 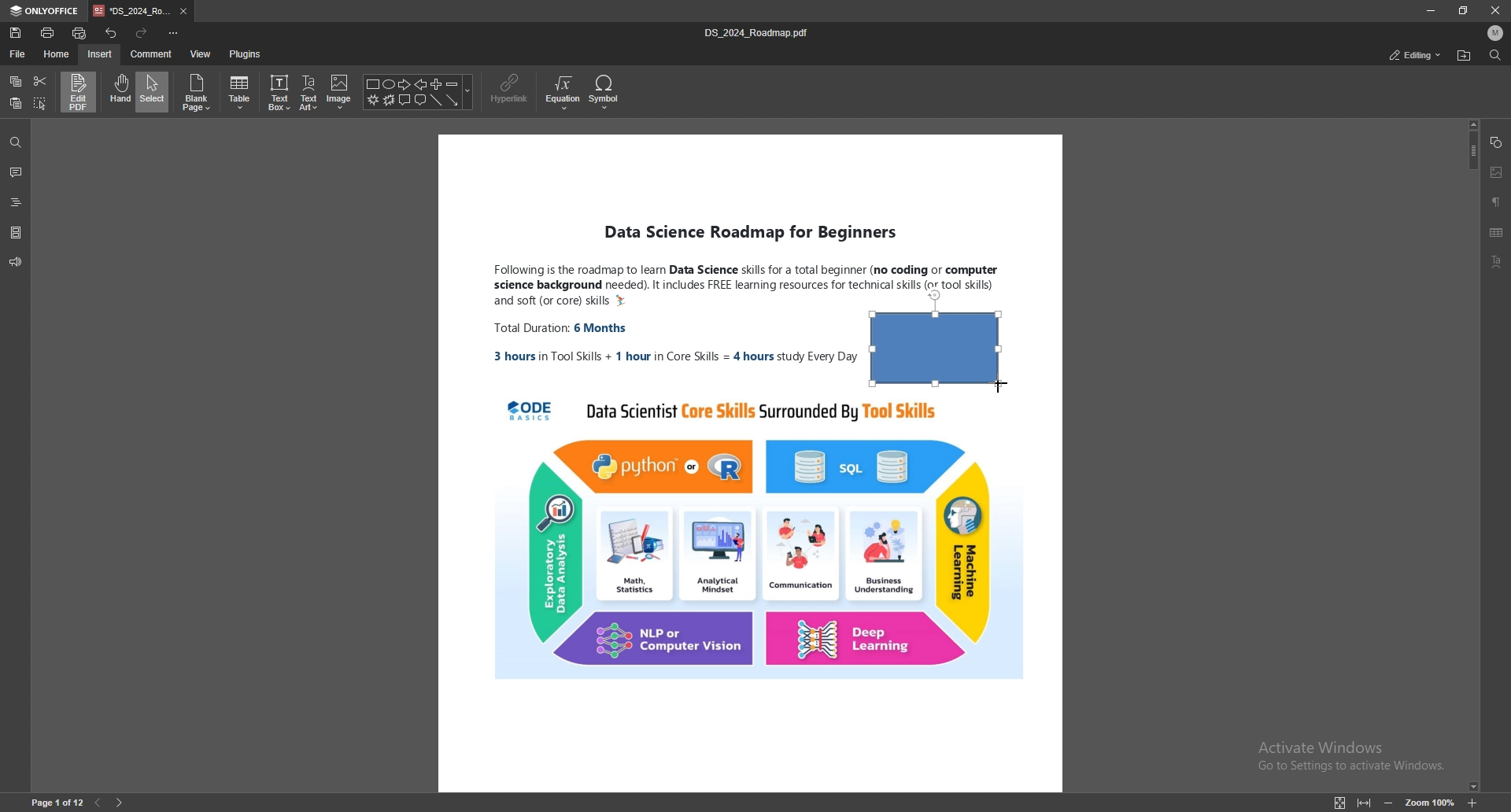 What do you see at coordinates (174, 33) in the screenshot?
I see `customize quick access toolbar` at bounding box center [174, 33].